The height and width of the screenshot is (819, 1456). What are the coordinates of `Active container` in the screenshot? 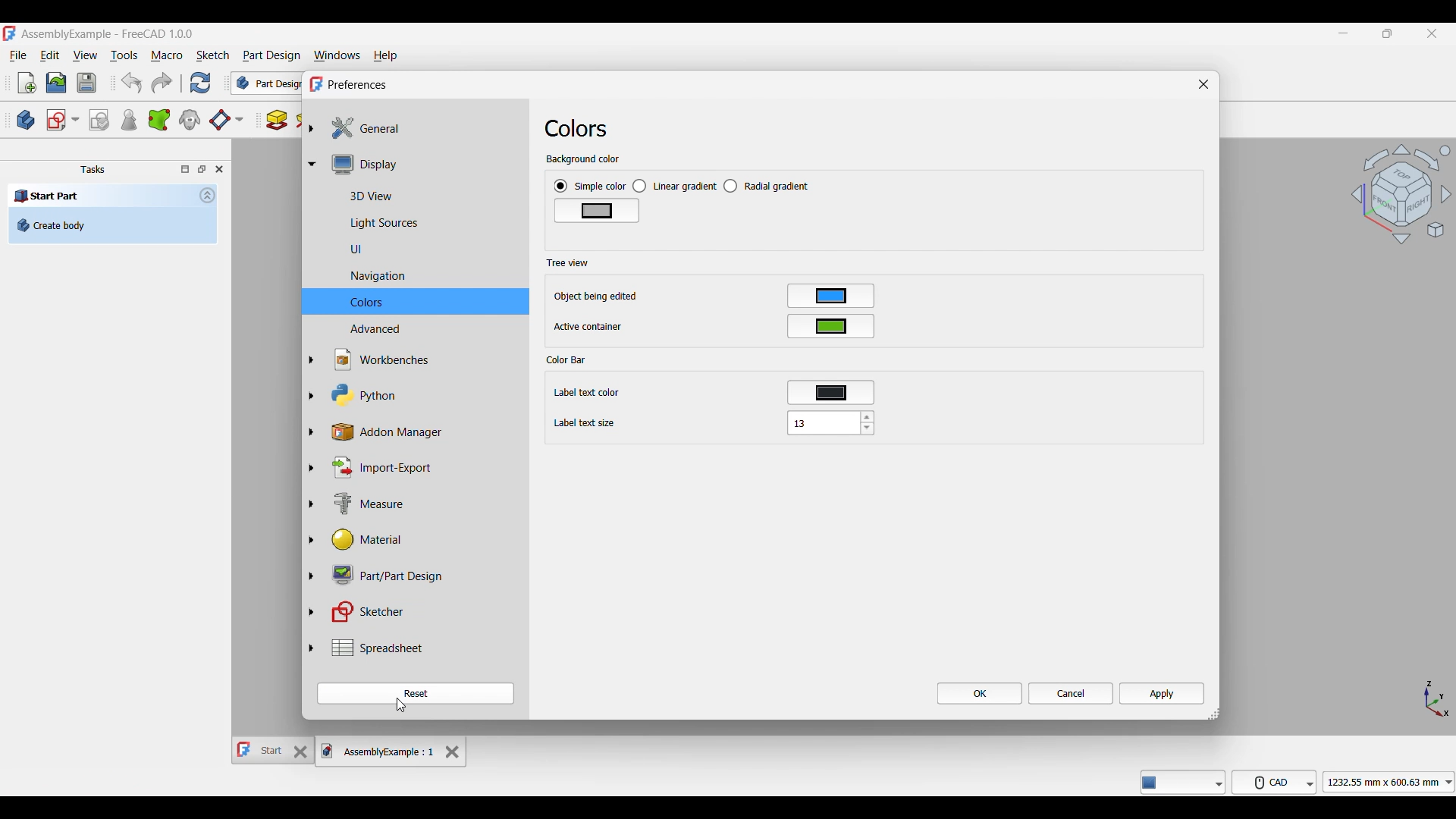 It's located at (589, 327).